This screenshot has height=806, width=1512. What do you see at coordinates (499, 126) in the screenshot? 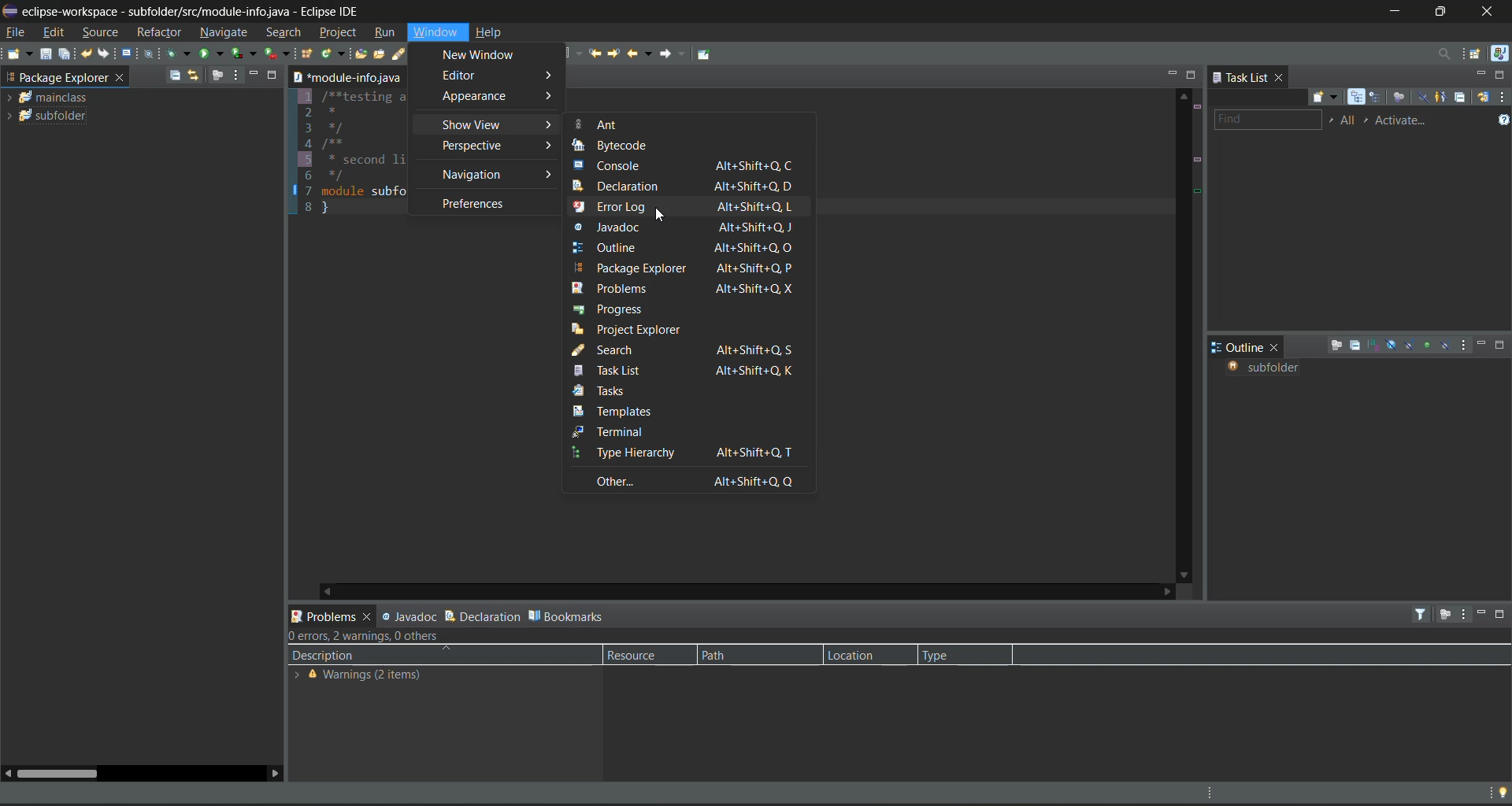
I see `show view` at bounding box center [499, 126].